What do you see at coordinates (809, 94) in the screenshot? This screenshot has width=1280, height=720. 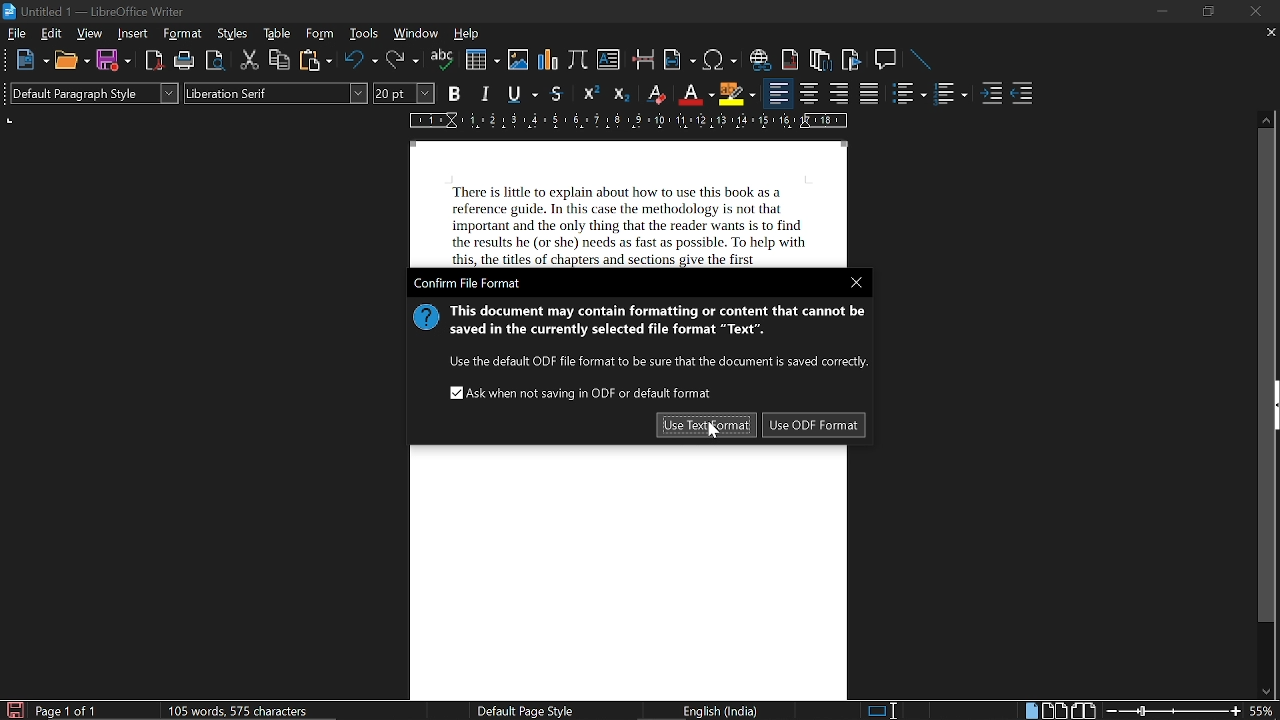 I see `align center` at bounding box center [809, 94].